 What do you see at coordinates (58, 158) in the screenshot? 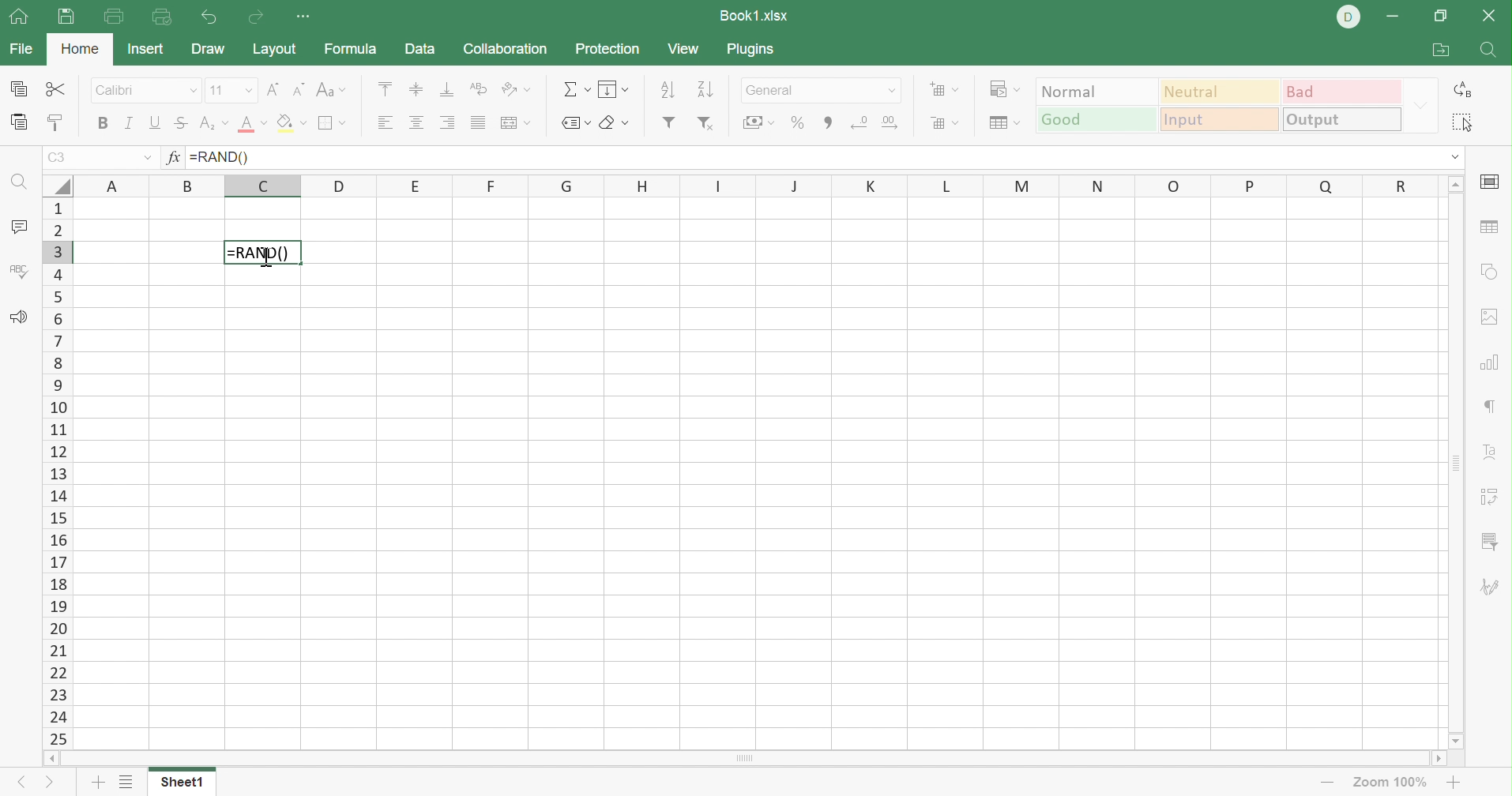
I see `C3` at bounding box center [58, 158].